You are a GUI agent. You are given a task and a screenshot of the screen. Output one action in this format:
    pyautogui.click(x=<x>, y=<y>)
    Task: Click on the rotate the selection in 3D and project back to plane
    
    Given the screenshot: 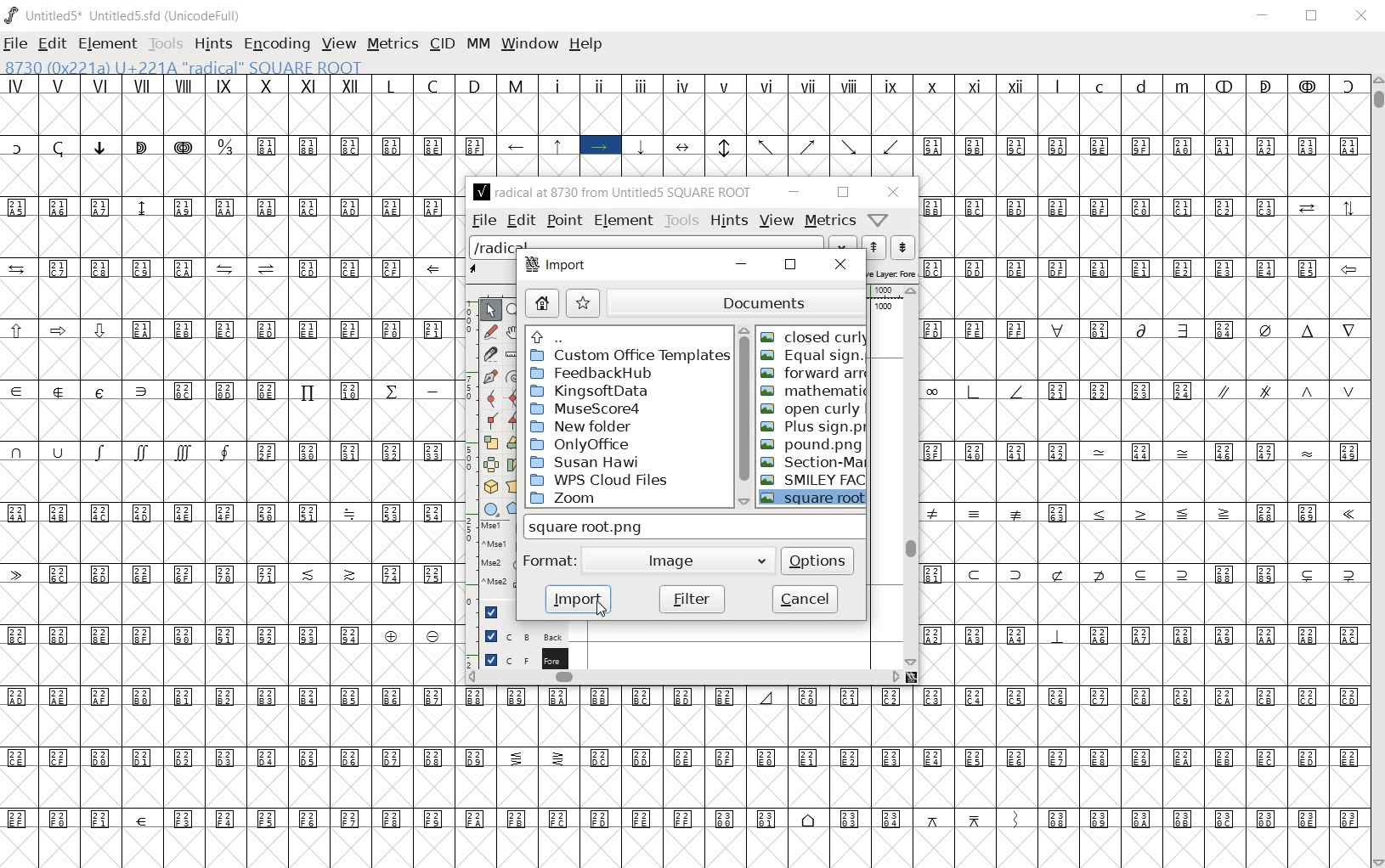 What is the action you would take?
    pyautogui.click(x=490, y=488)
    